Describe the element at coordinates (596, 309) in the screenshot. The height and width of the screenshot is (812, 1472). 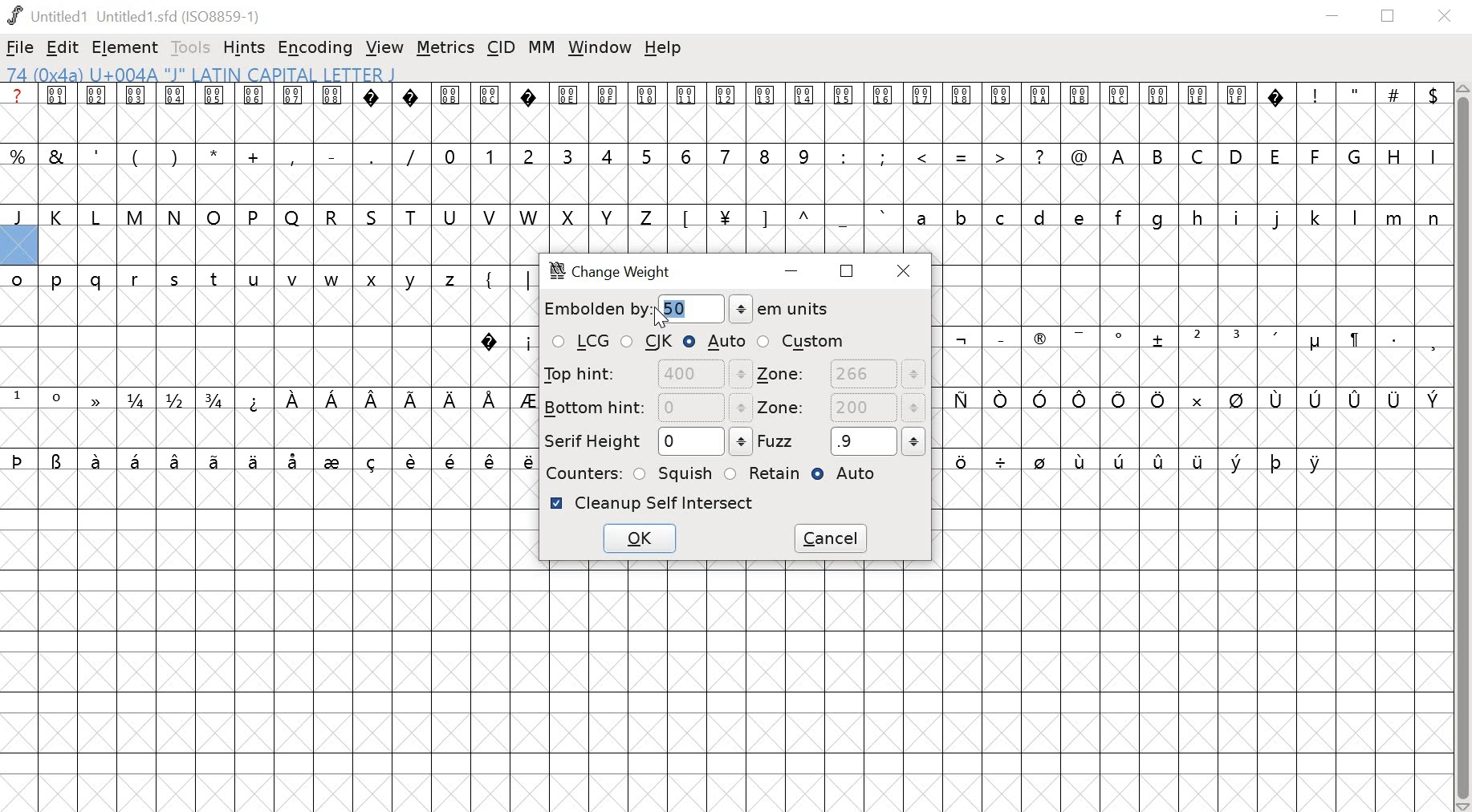
I see `embolden by` at that location.